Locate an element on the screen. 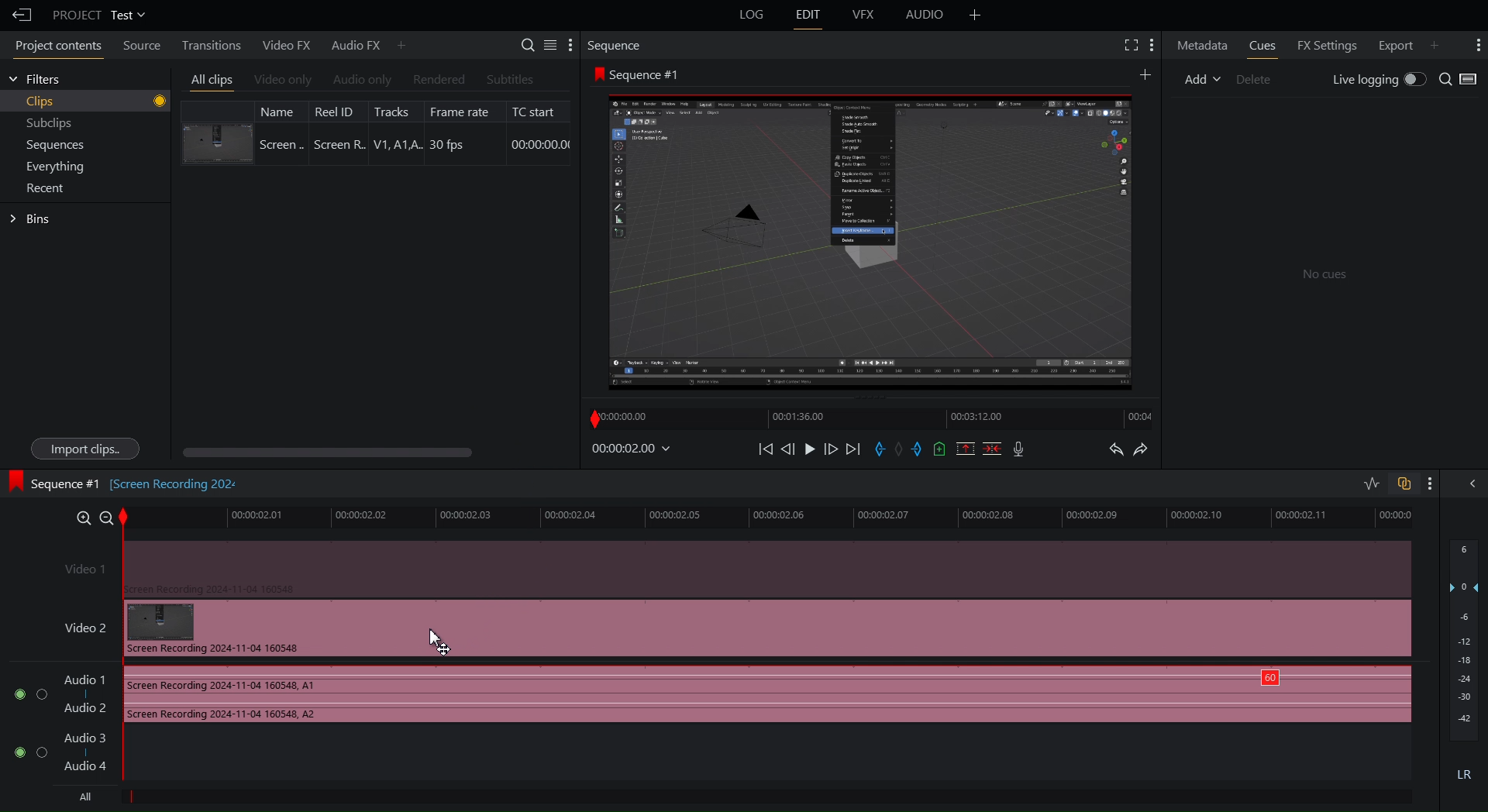  More is located at coordinates (975, 15).